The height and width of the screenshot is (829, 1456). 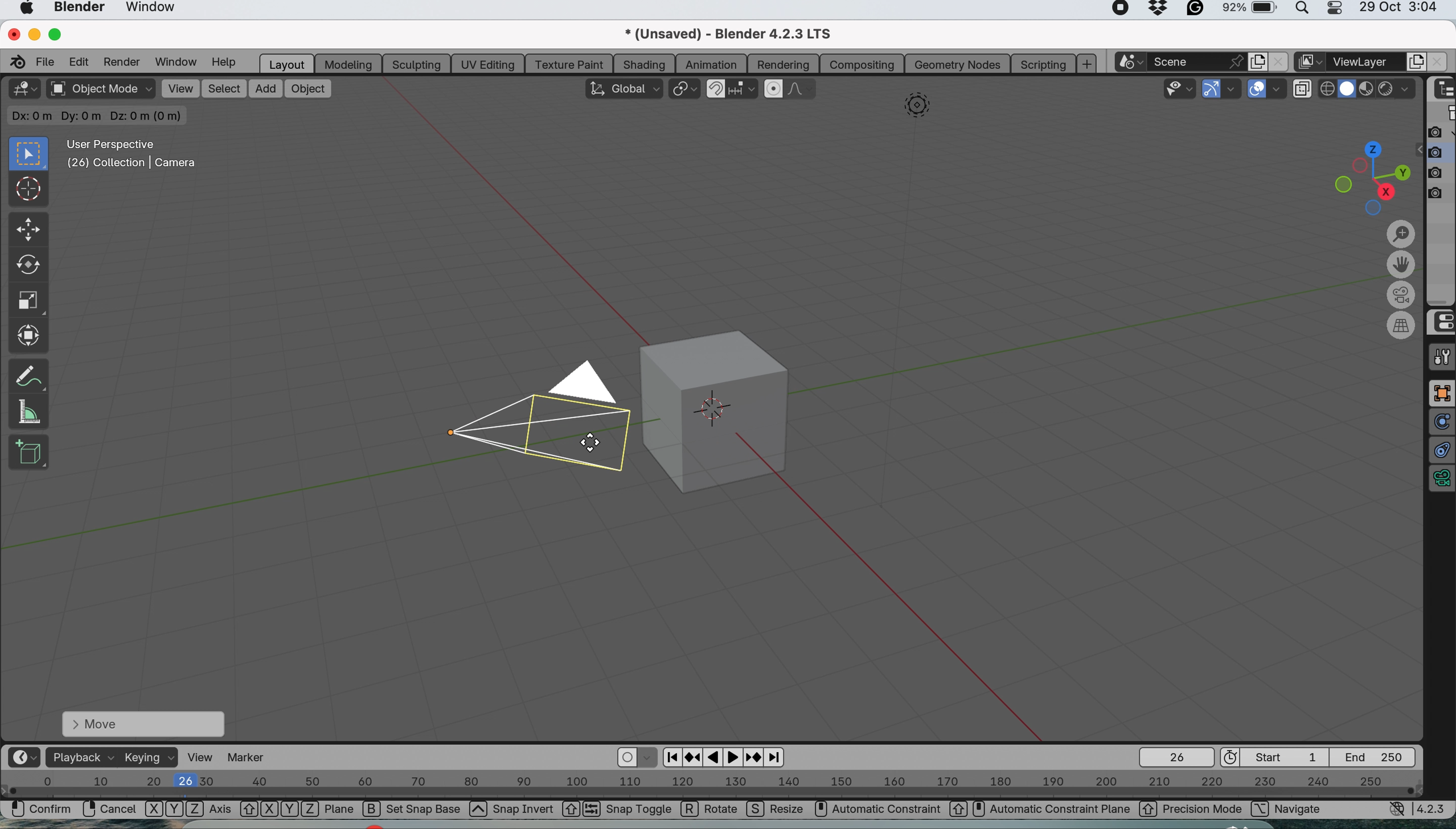 What do you see at coordinates (263, 88) in the screenshot?
I see `add` at bounding box center [263, 88].